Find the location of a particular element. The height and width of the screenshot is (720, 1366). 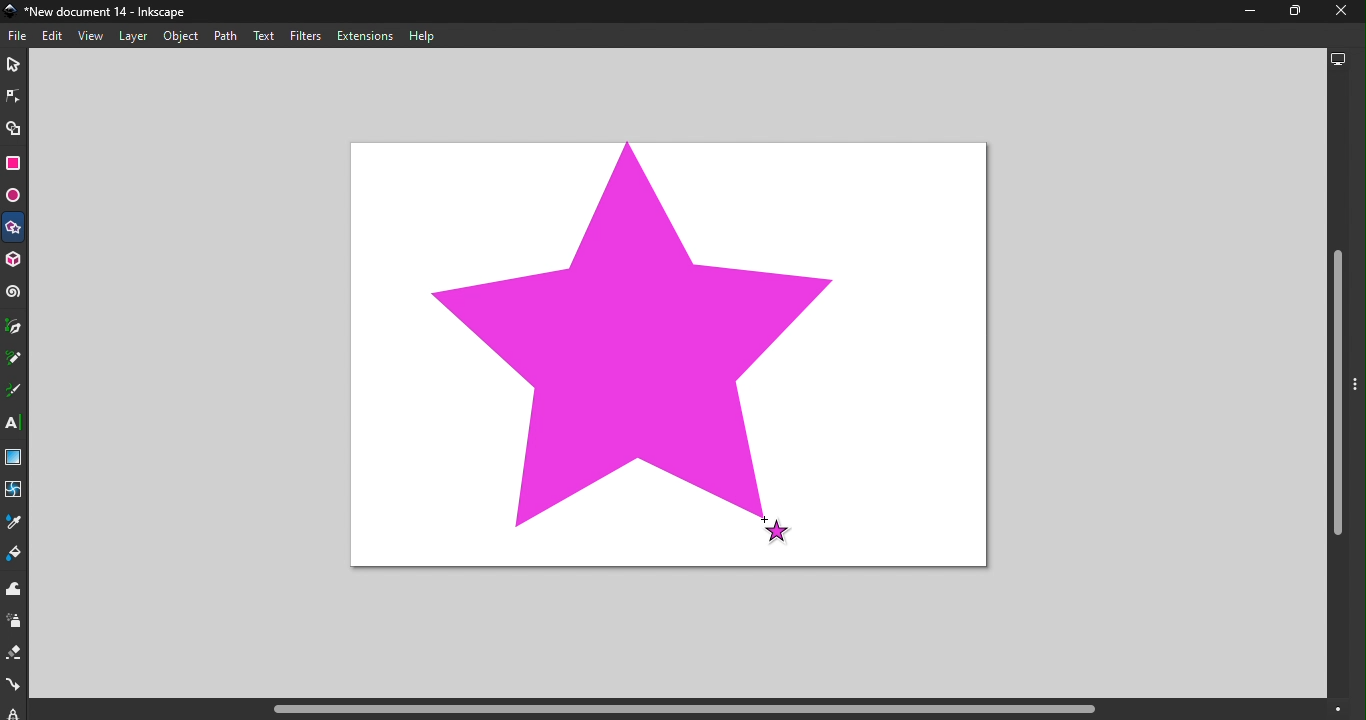

Maximize is located at coordinates (1289, 12).